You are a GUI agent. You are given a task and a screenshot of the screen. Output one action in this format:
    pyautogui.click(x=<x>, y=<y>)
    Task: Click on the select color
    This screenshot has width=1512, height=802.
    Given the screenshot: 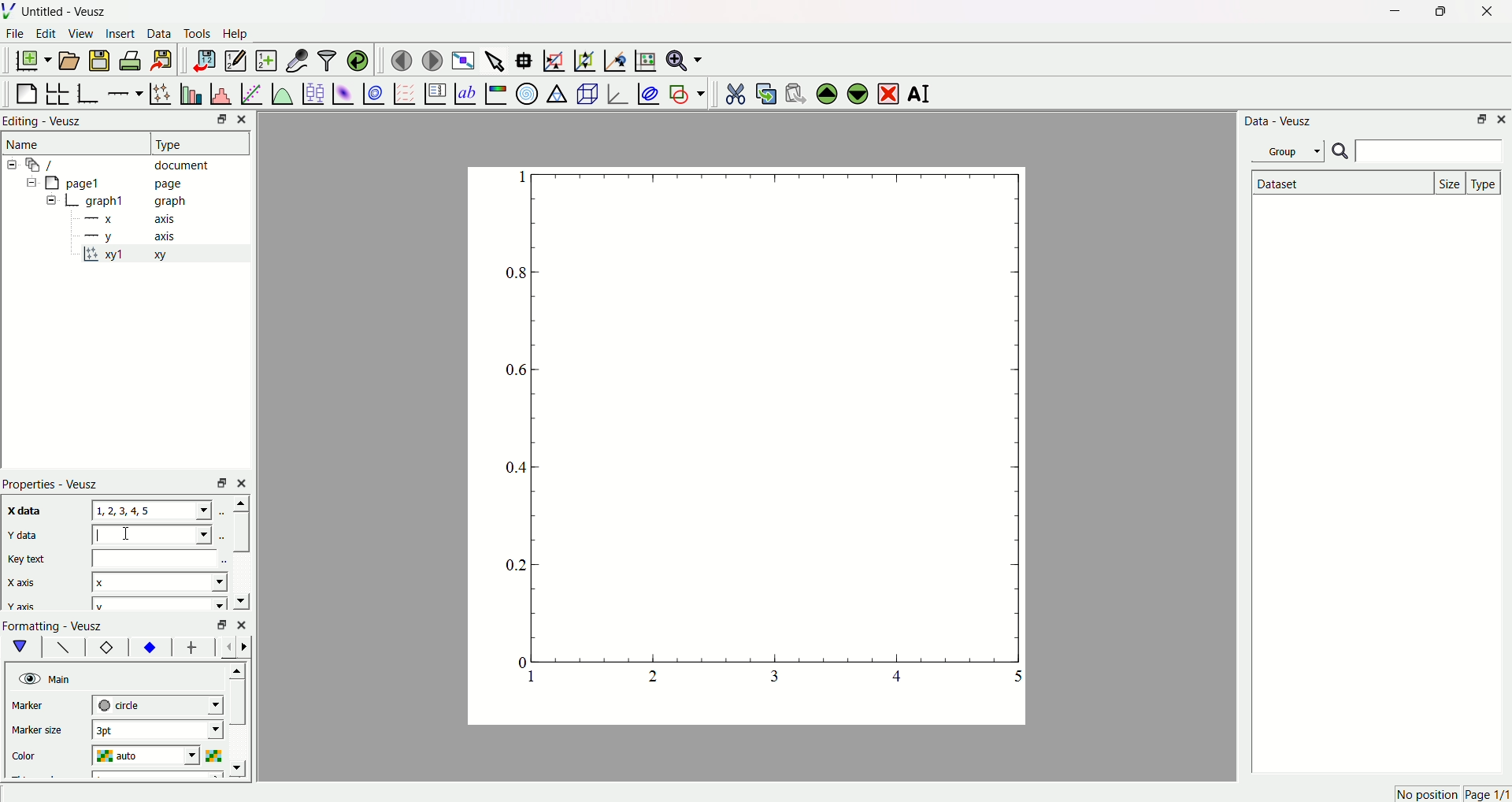 What is the action you would take?
    pyautogui.click(x=217, y=754)
    